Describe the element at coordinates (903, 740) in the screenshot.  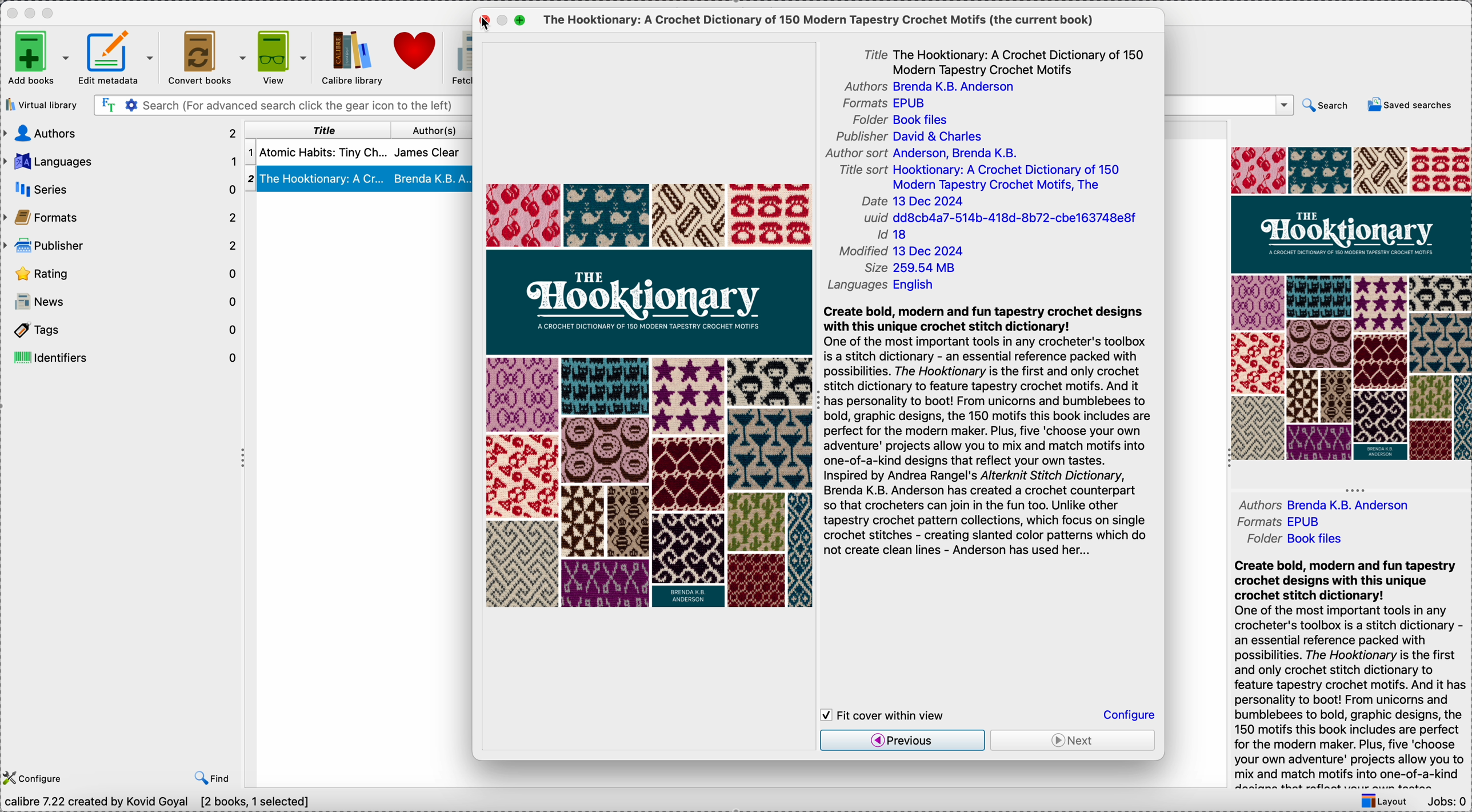
I see `previous` at that location.